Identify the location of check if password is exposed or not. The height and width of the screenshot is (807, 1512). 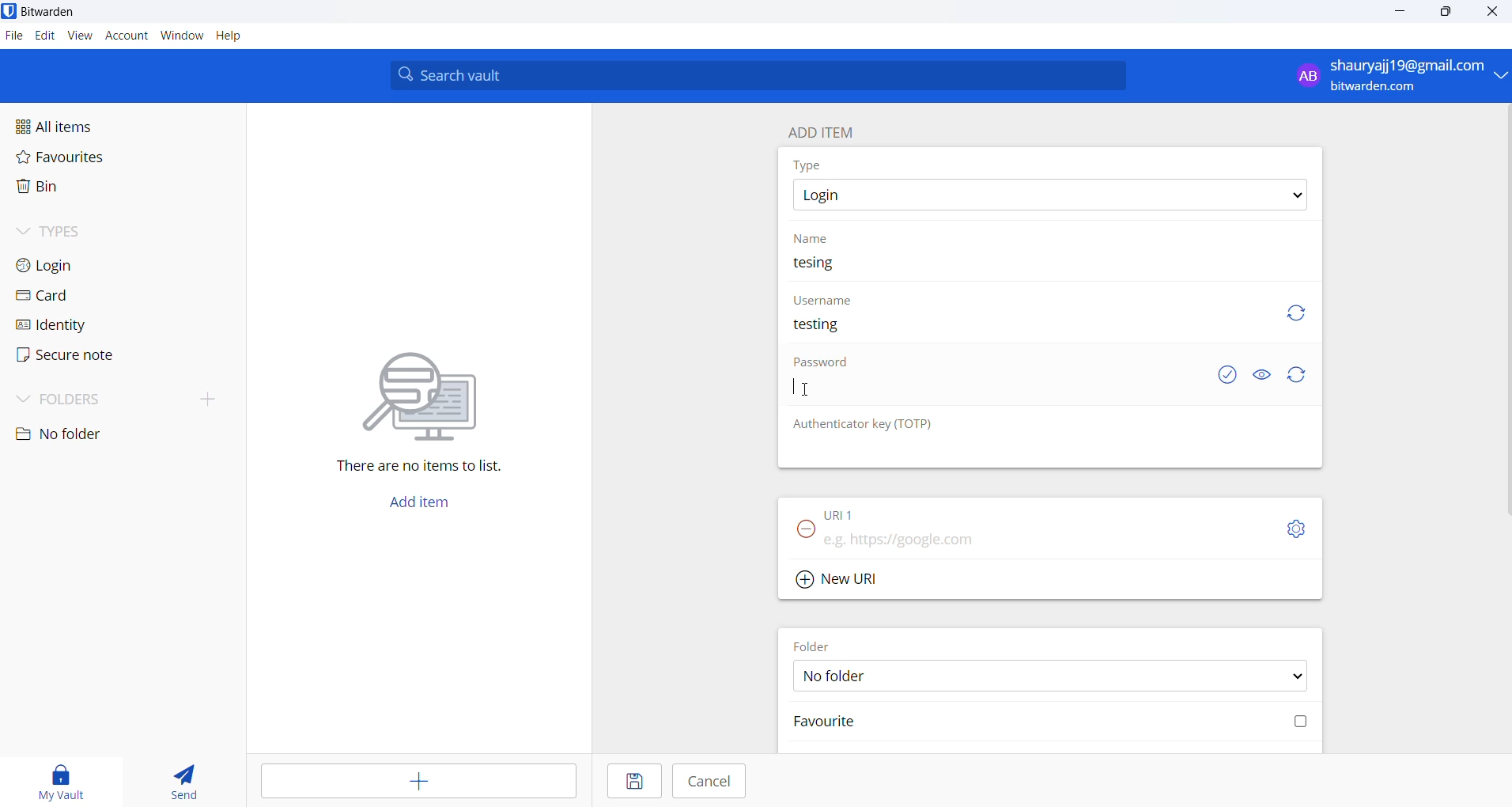
(1230, 375).